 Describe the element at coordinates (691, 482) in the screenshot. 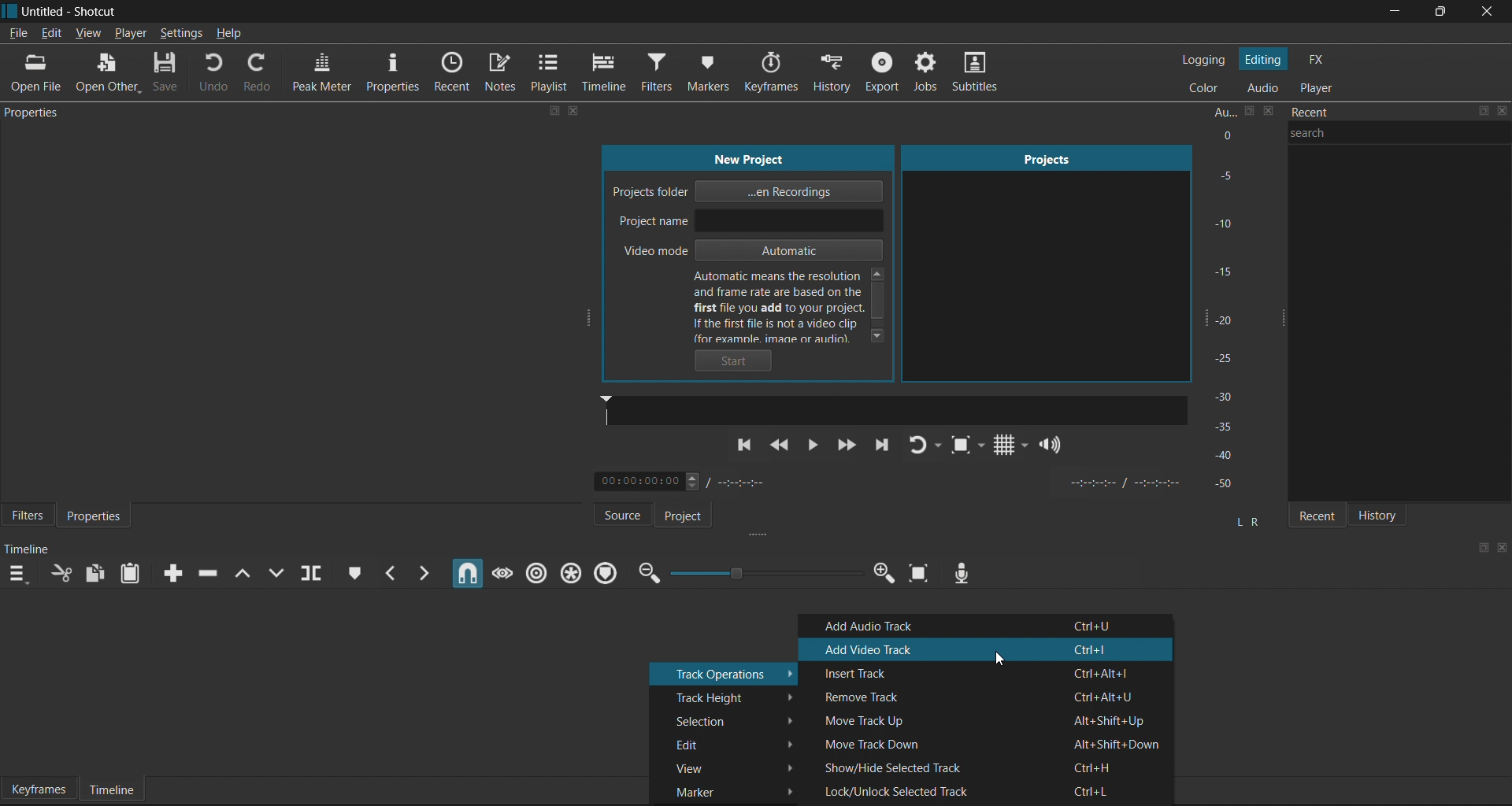

I see `Timestamp` at that location.